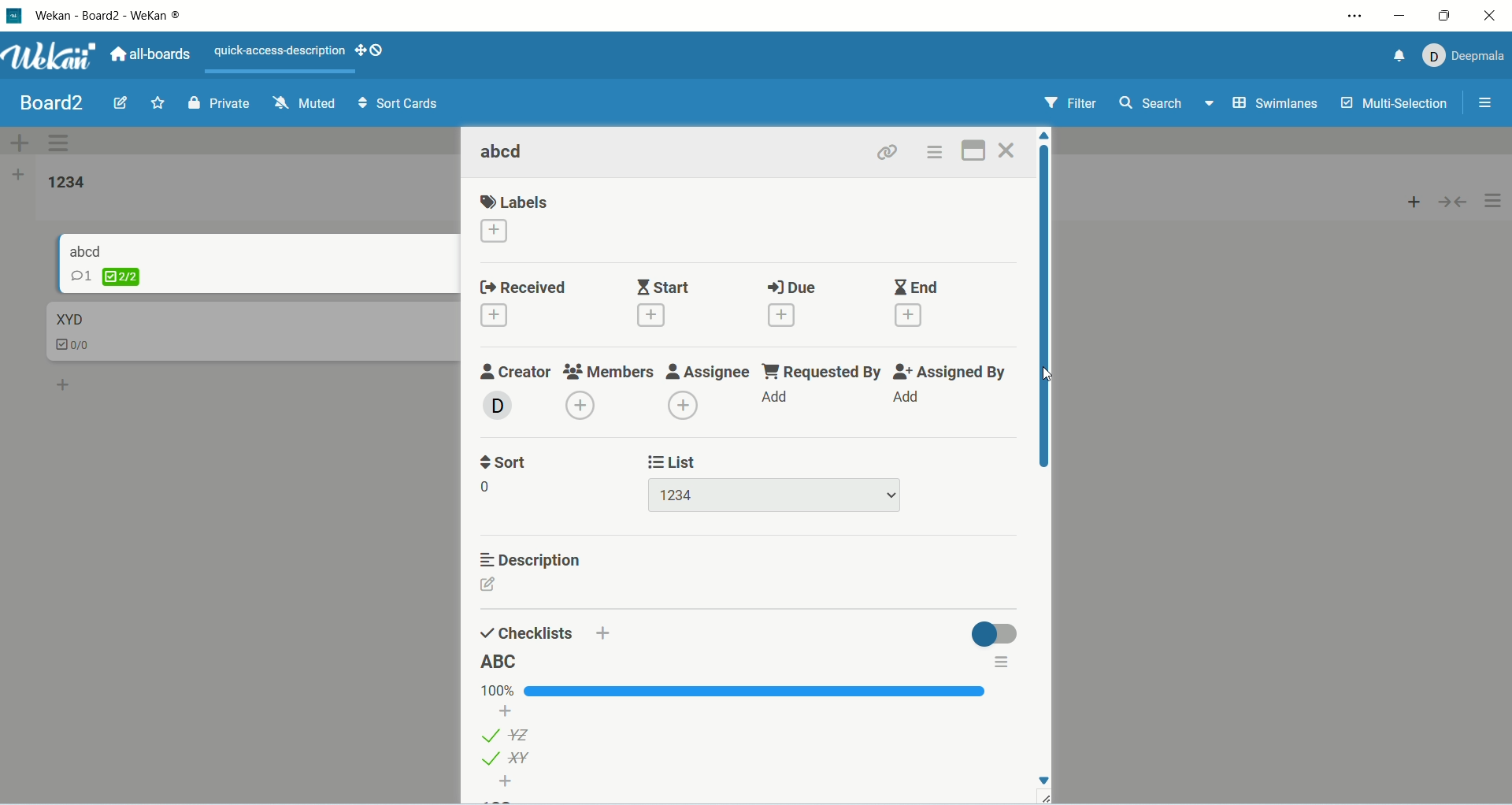  Describe the element at coordinates (503, 461) in the screenshot. I see `sort` at that location.